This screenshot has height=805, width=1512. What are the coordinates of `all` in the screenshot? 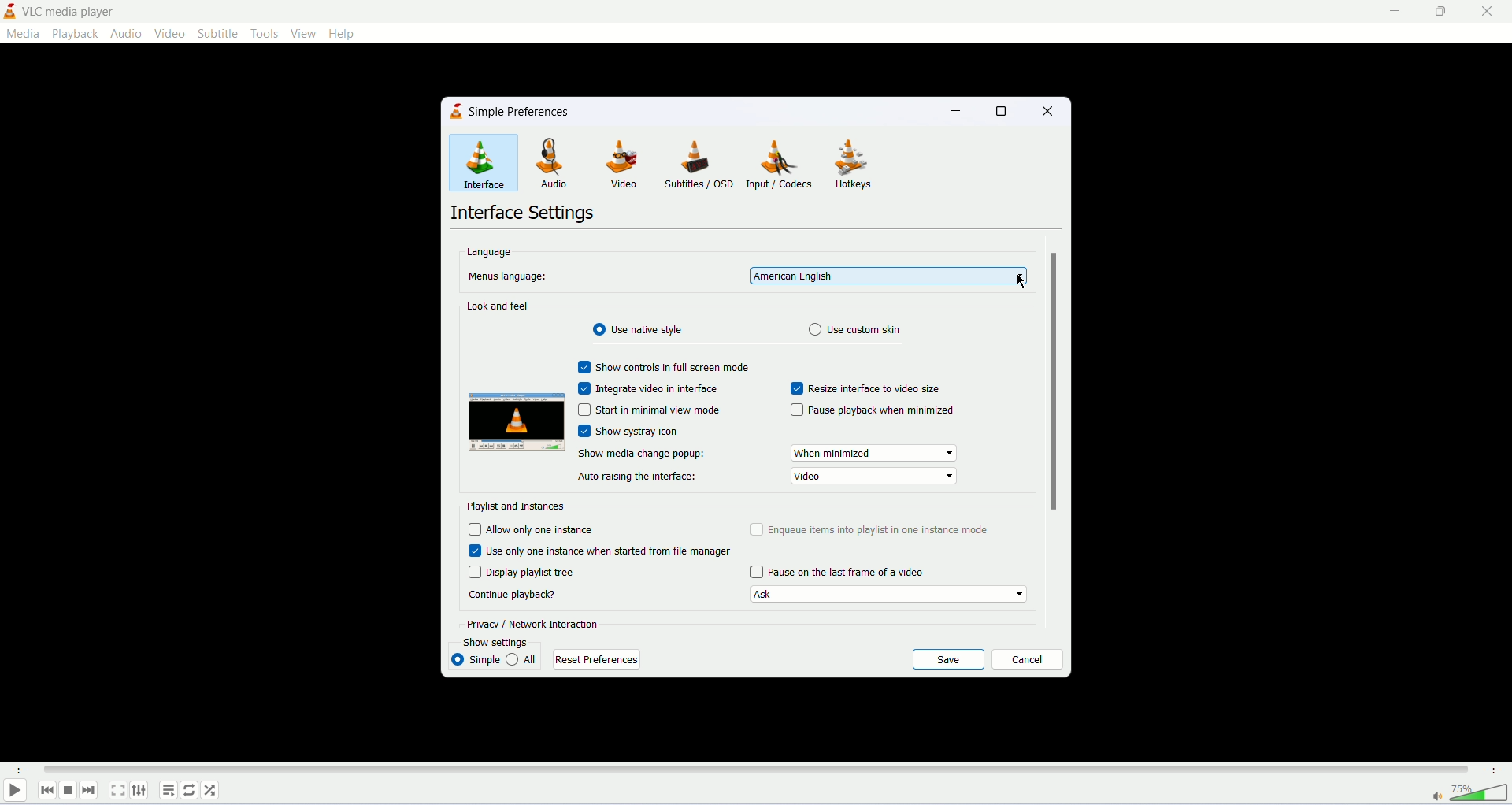 It's located at (524, 659).